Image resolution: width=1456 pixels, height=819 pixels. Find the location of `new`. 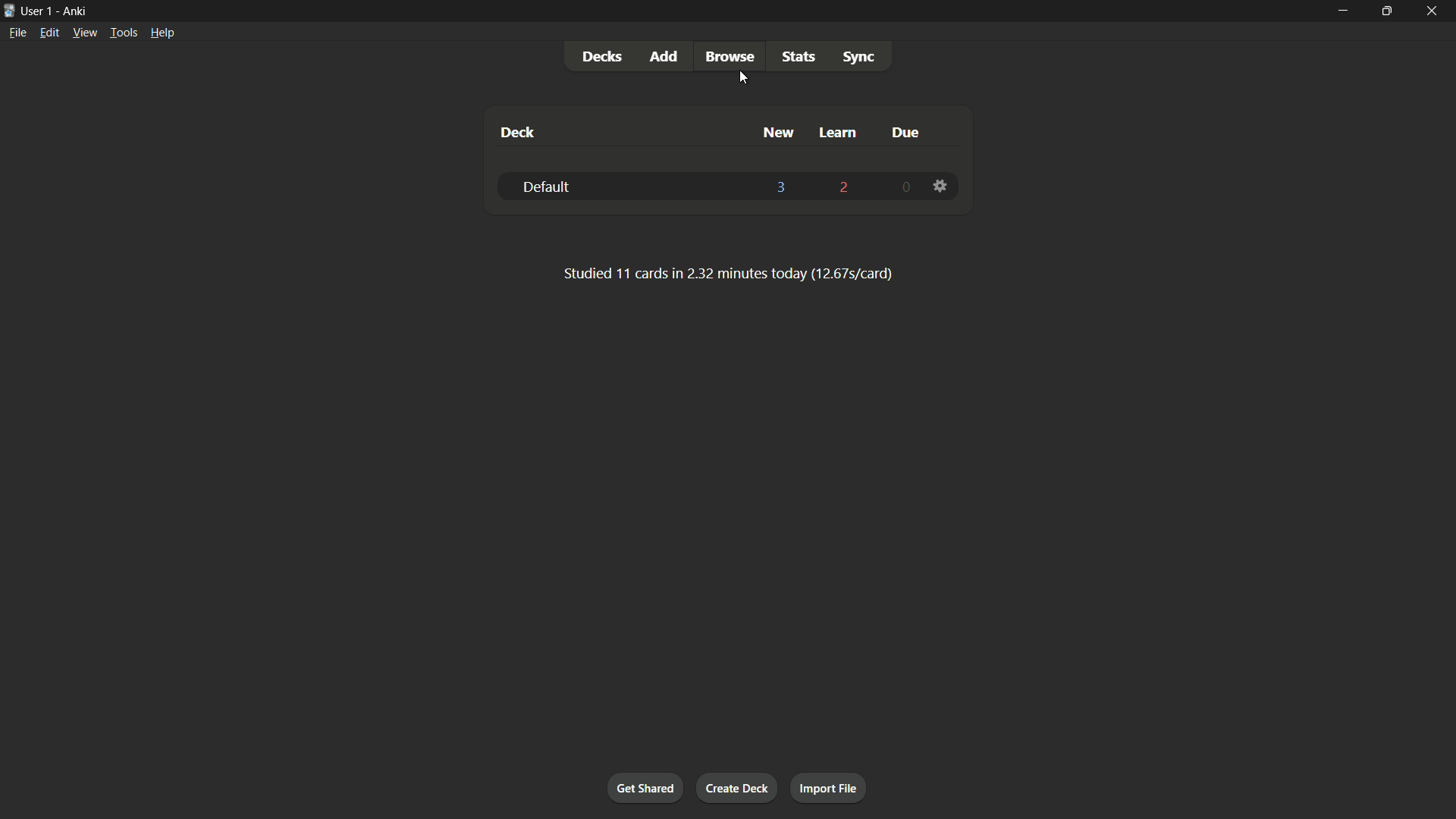

new is located at coordinates (779, 132).